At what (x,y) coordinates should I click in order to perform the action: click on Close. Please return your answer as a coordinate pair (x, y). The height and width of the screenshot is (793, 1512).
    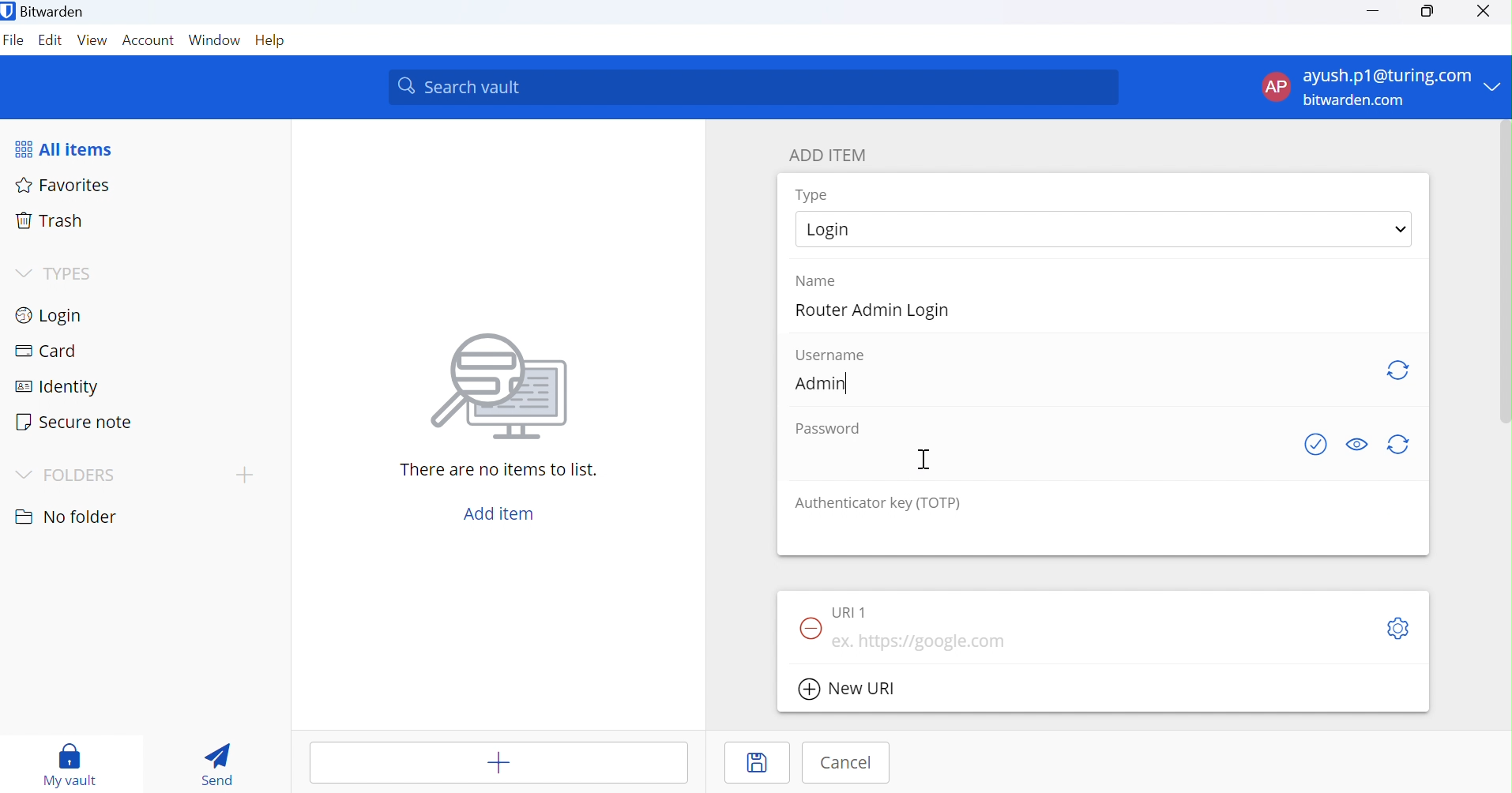
    Looking at the image, I should click on (1485, 12).